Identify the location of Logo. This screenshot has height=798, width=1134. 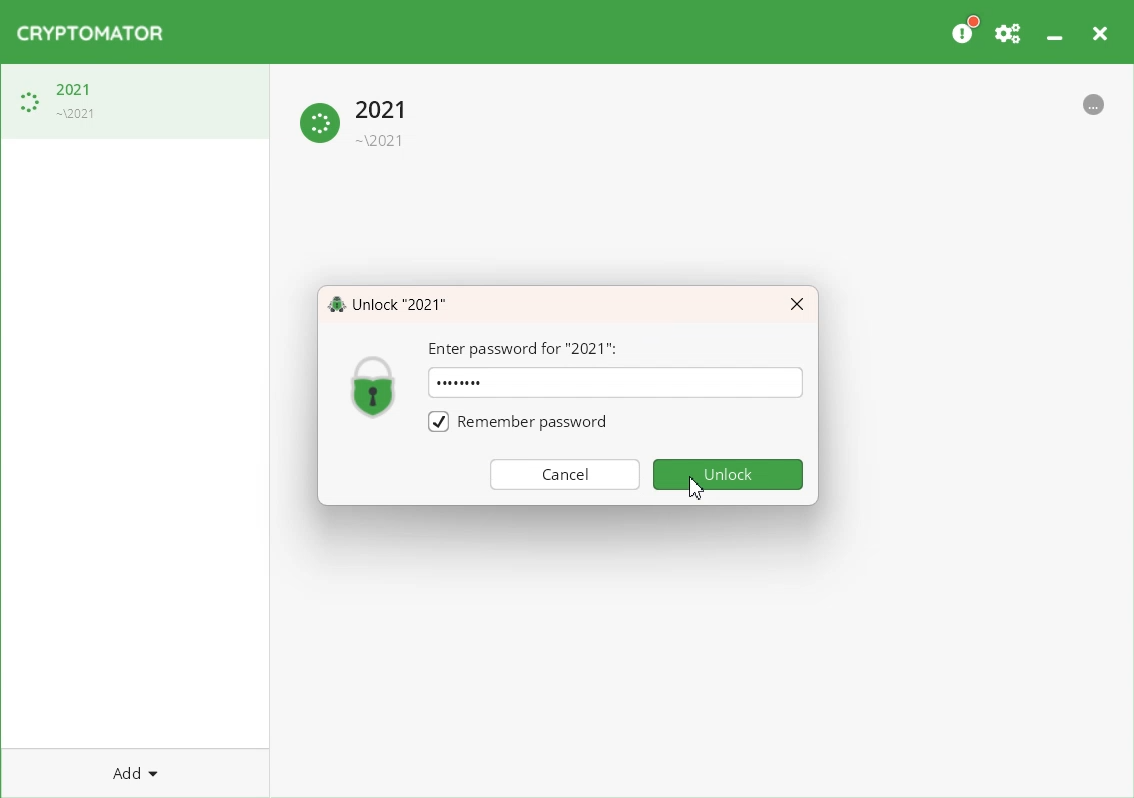
(90, 33).